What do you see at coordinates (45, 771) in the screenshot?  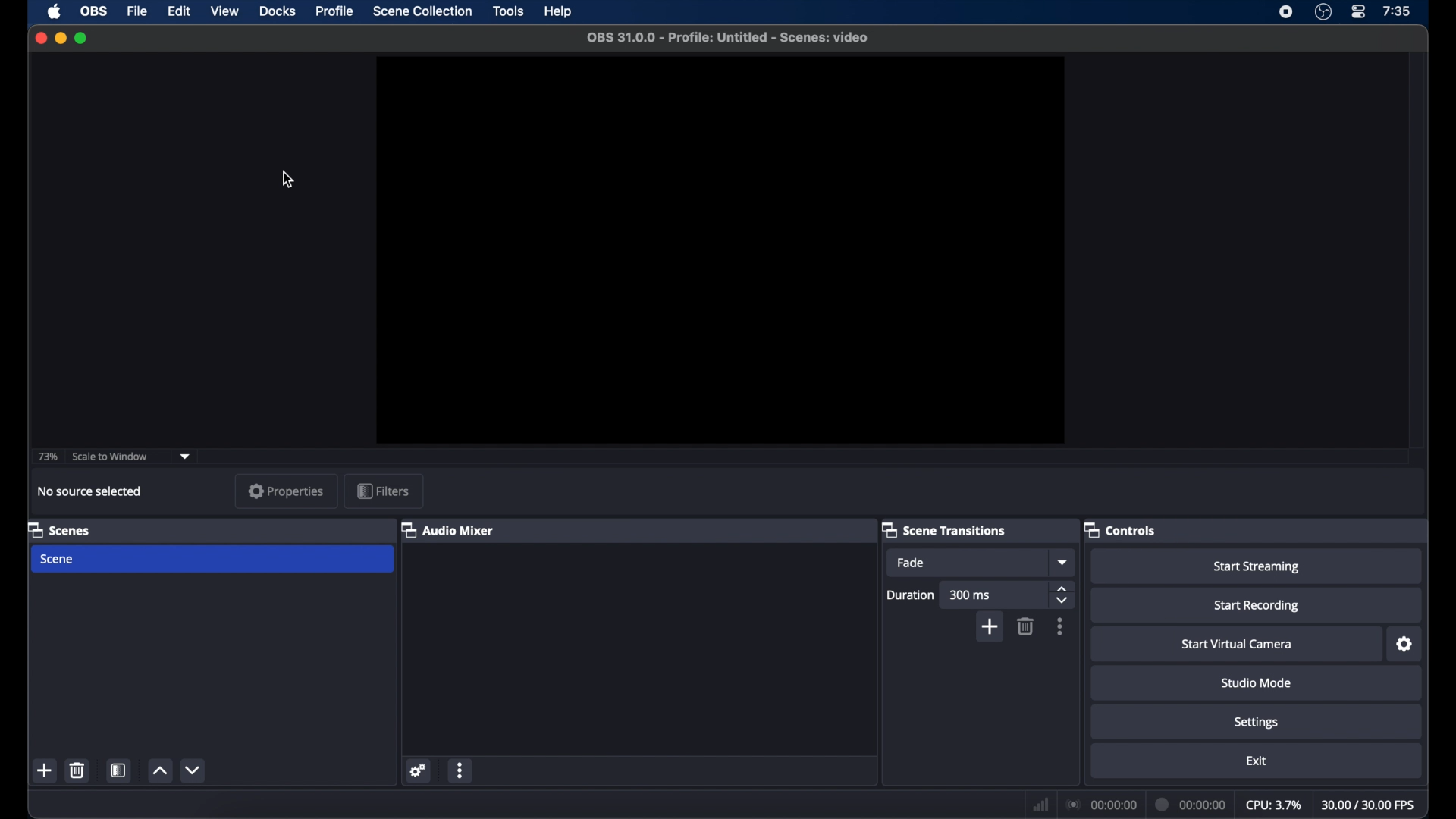 I see `add scene` at bounding box center [45, 771].